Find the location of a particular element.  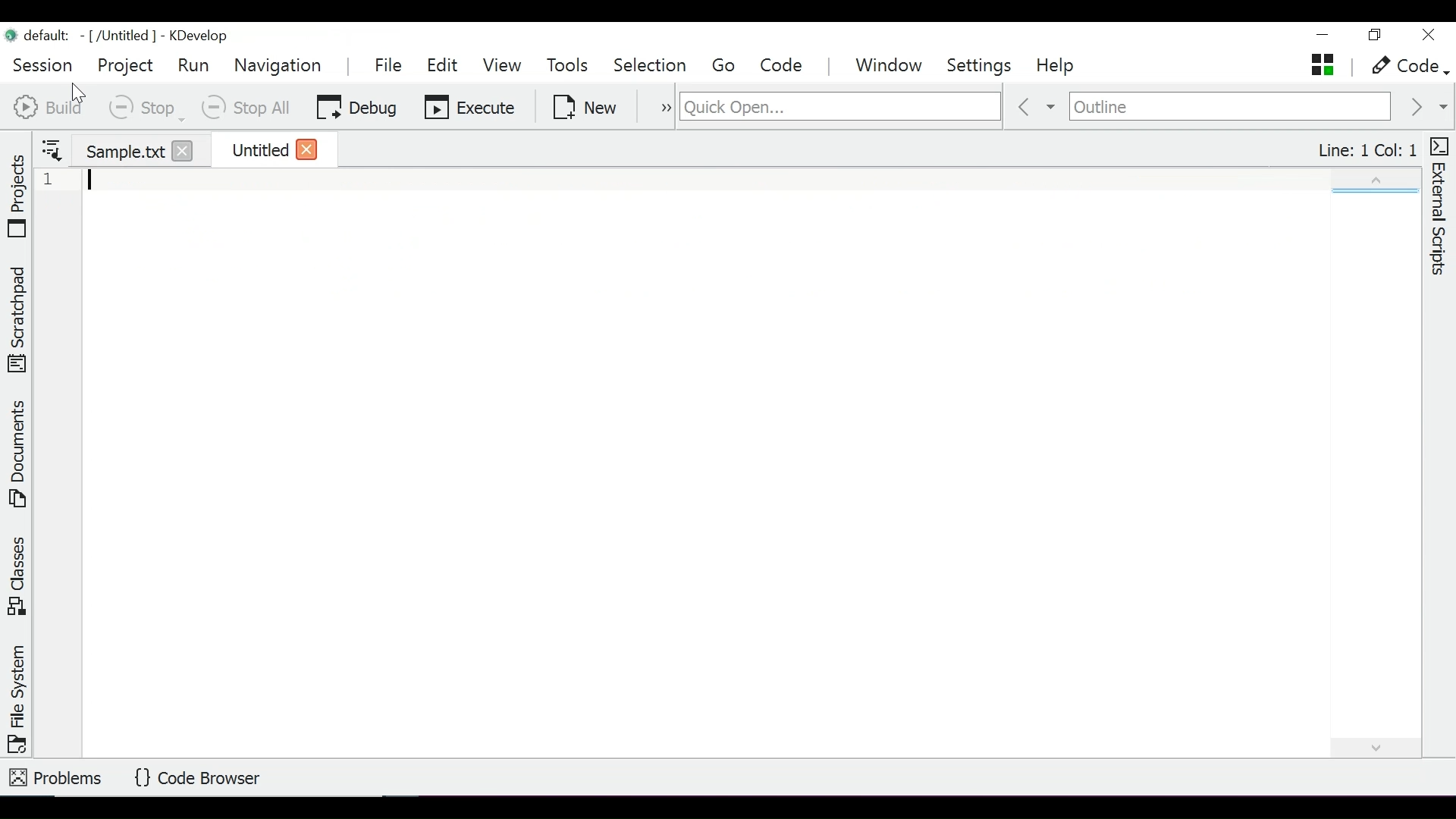

more options is located at coordinates (655, 109).